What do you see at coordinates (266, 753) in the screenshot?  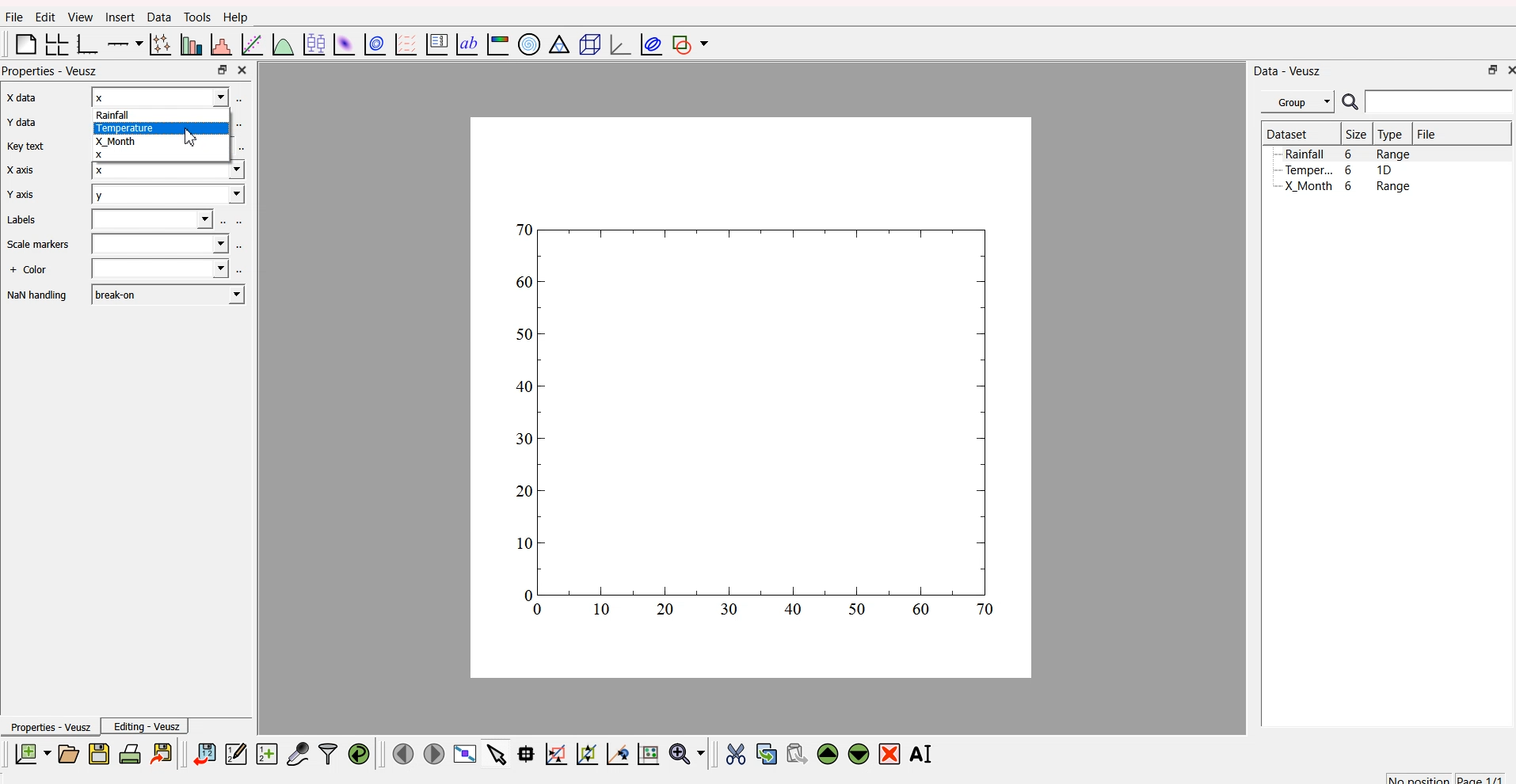 I see `create a new dataset` at bounding box center [266, 753].